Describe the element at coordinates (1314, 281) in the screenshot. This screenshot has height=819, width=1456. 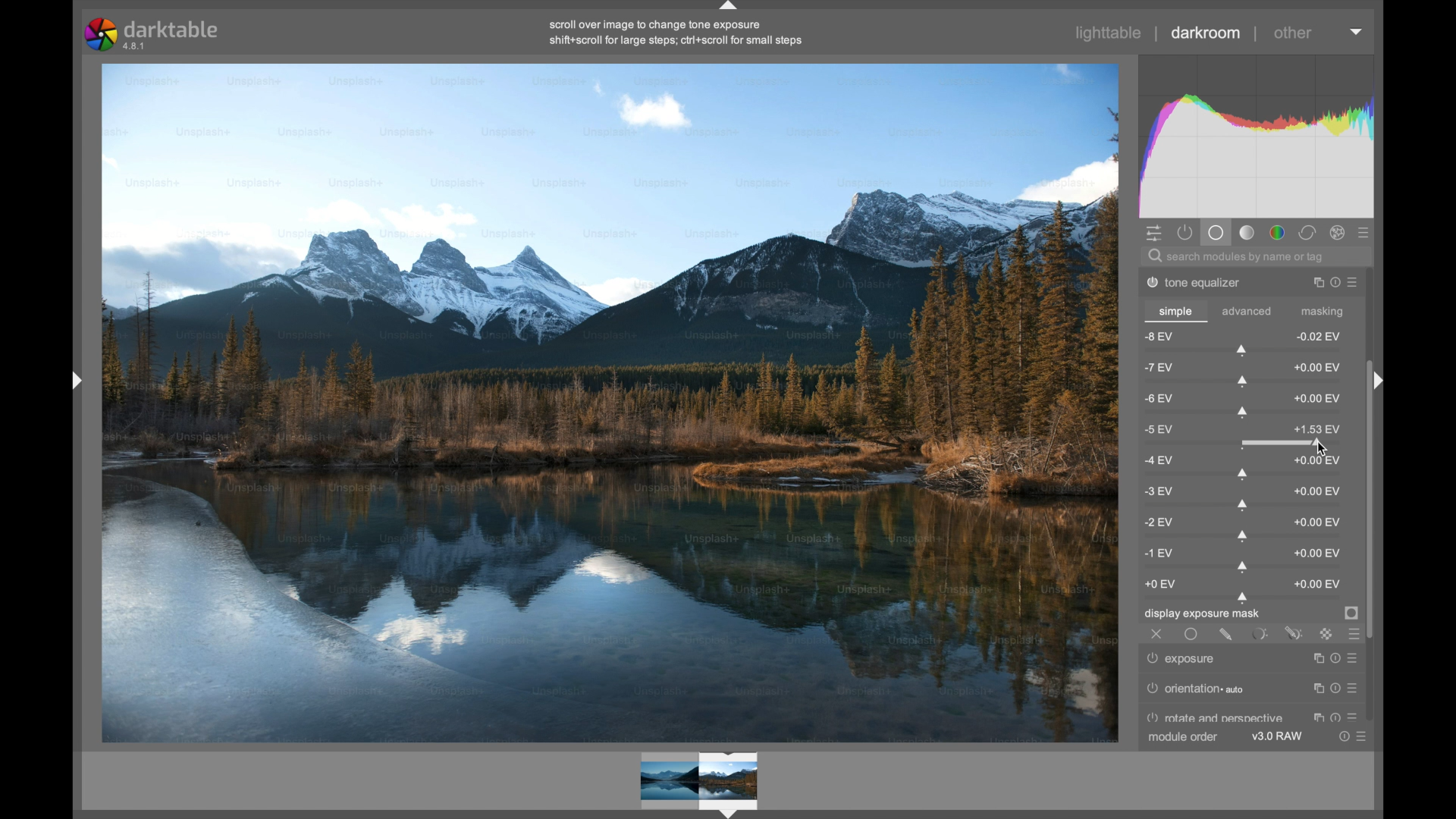
I see `instance` at that location.